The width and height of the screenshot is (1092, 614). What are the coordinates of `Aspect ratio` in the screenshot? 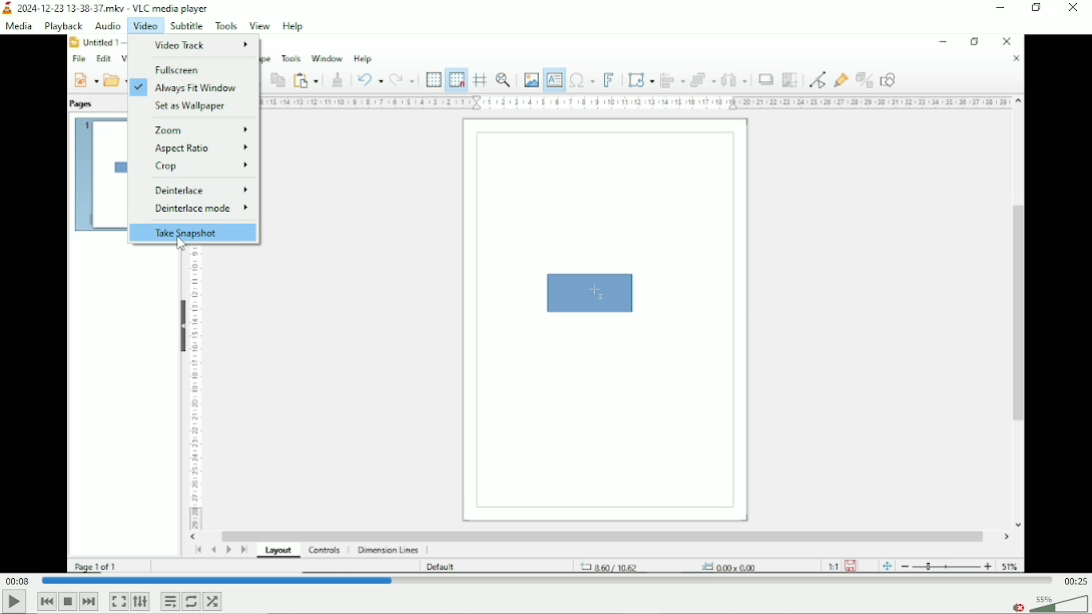 It's located at (200, 147).